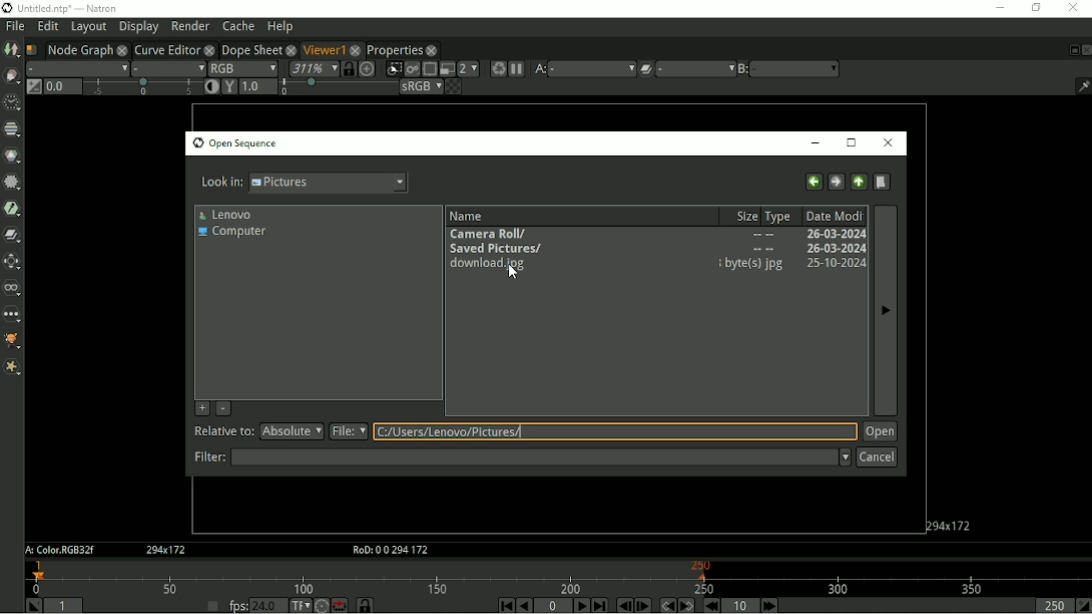 The width and height of the screenshot is (1092, 614). What do you see at coordinates (10, 102) in the screenshot?
I see `Time` at bounding box center [10, 102].